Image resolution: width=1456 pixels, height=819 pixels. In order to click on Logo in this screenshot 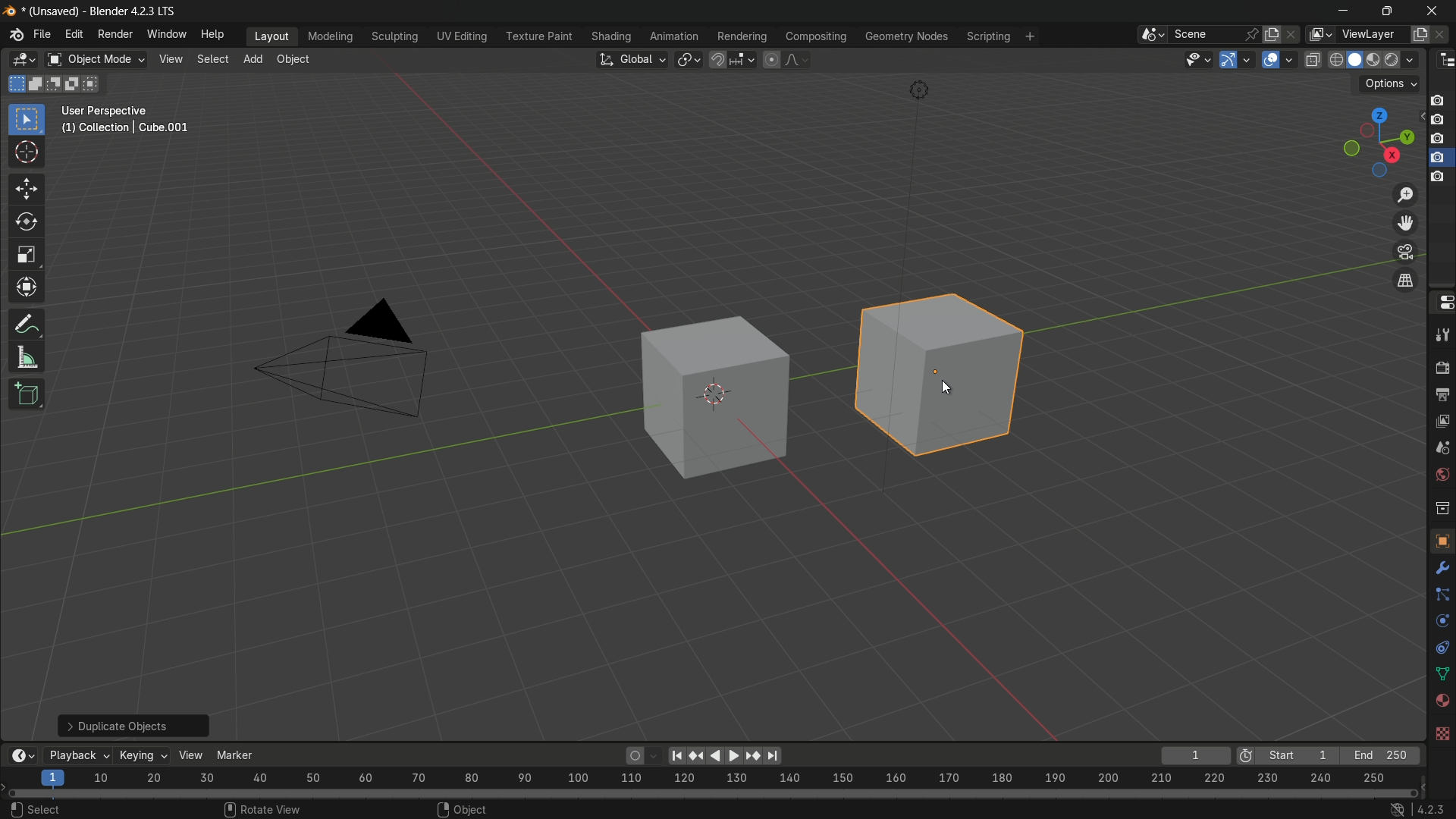, I will do `click(12, 37)`.